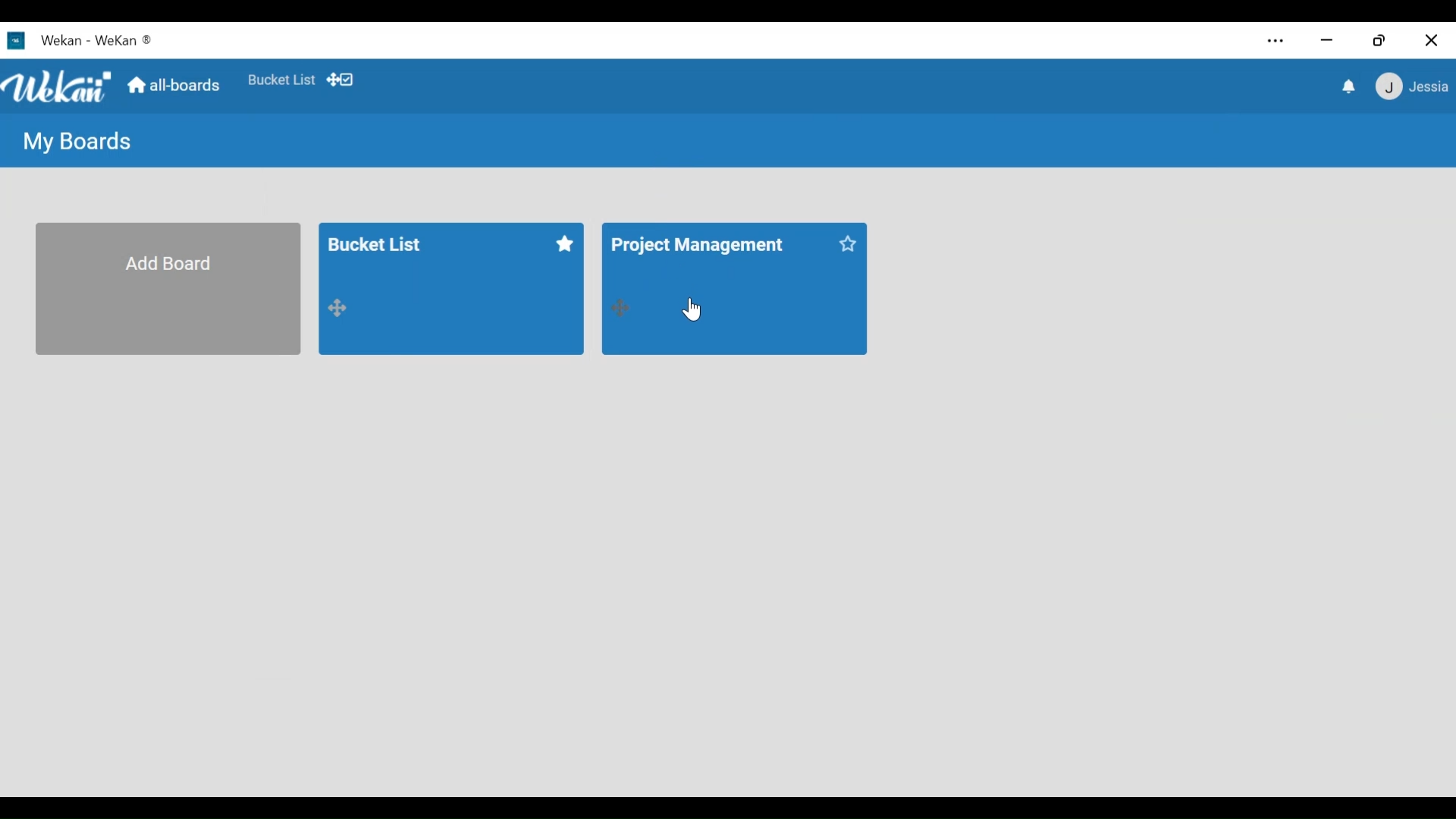  I want to click on Settings and more, so click(1275, 42).